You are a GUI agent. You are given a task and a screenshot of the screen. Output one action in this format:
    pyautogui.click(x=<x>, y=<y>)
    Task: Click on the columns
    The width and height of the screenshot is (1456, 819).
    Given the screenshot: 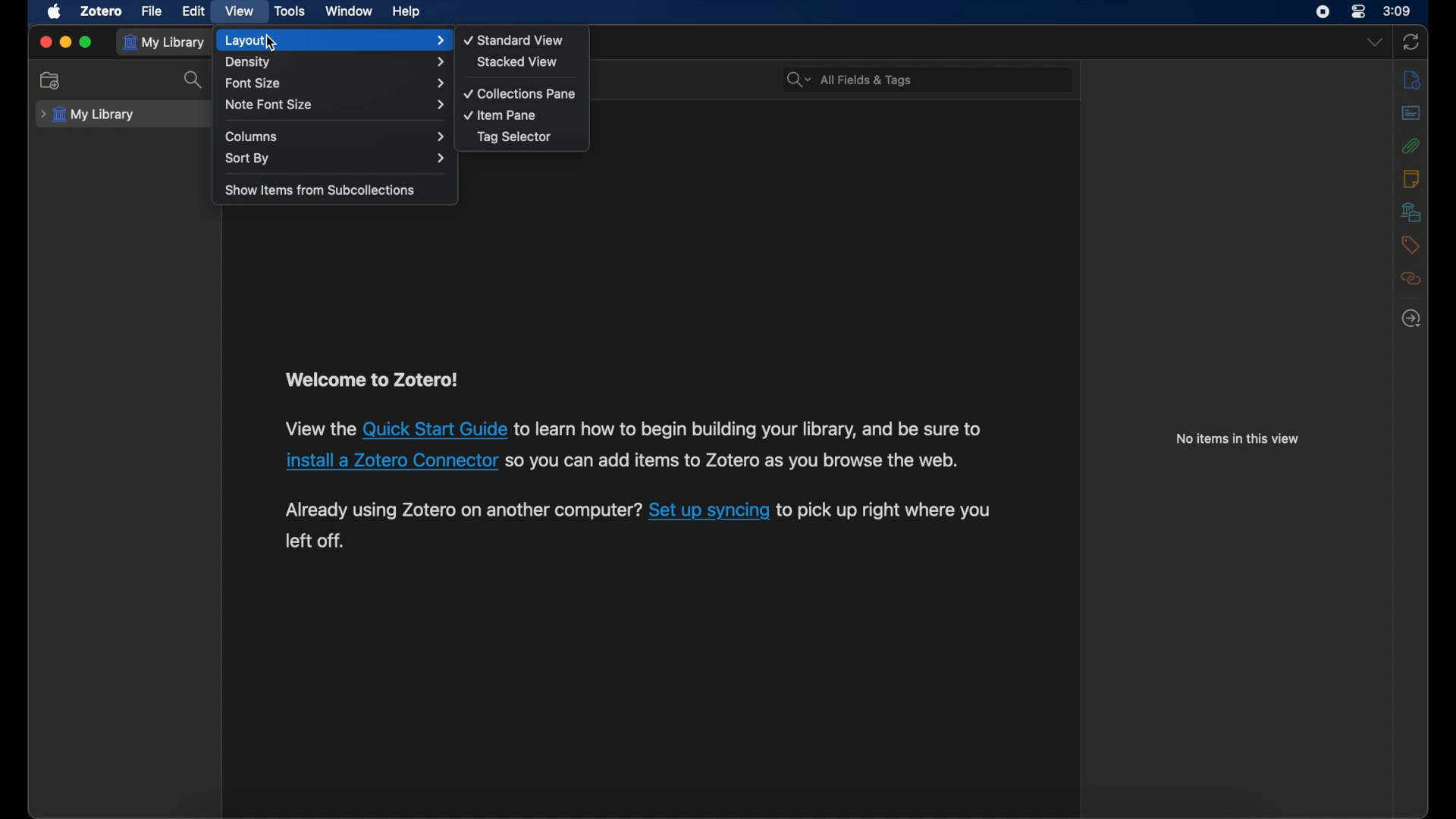 What is the action you would take?
    pyautogui.click(x=334, y=136)
    